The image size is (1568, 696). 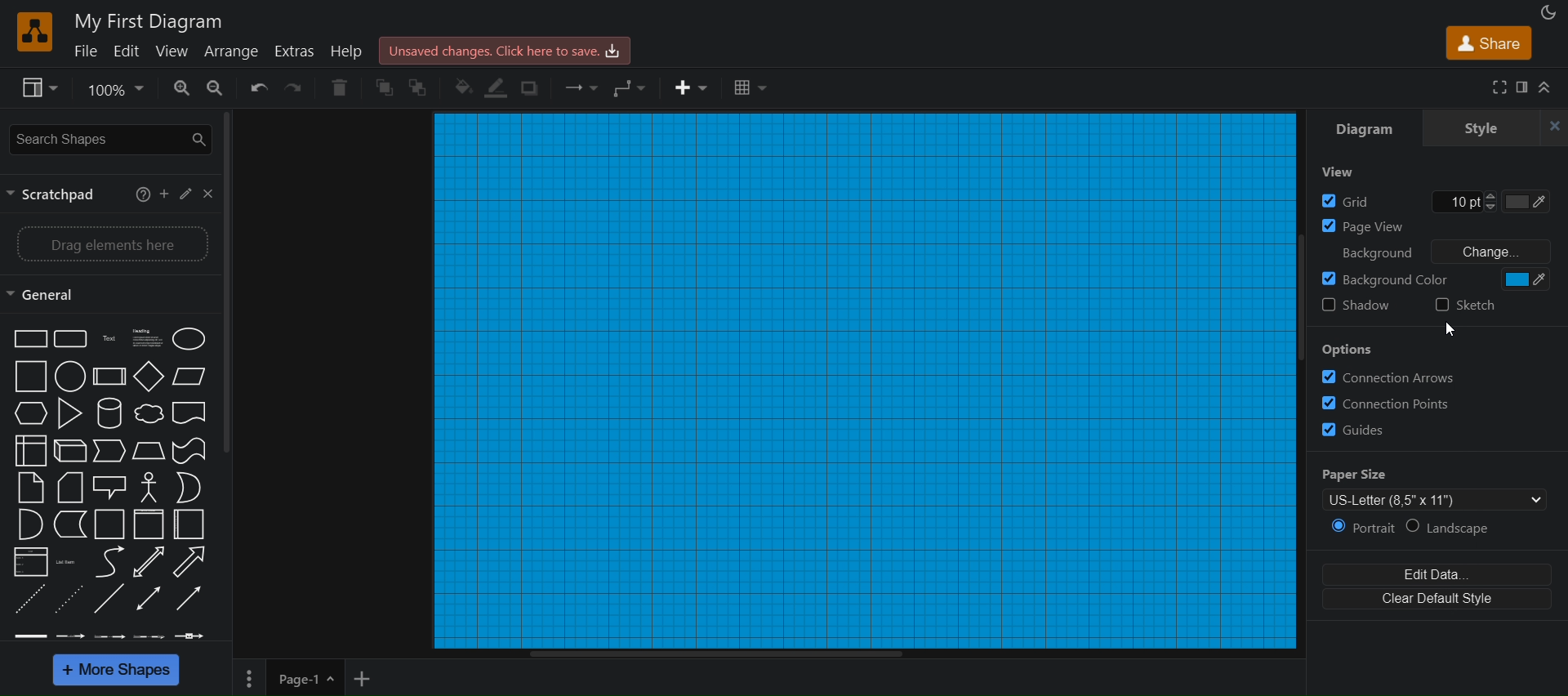 I want to click on file, so click(x=87, y=53).